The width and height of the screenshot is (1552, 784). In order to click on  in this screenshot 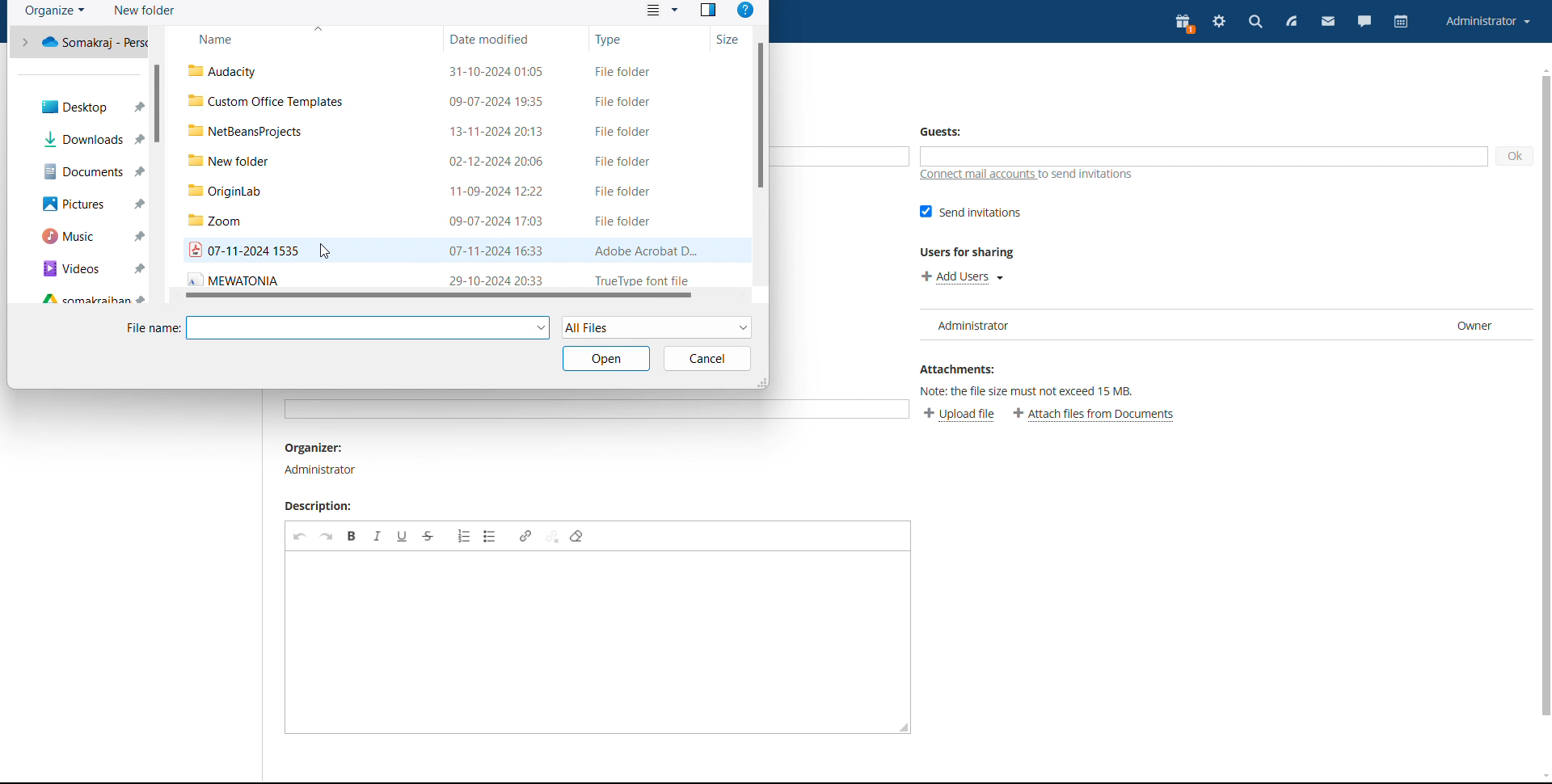, I will do `click(456, 133)`.